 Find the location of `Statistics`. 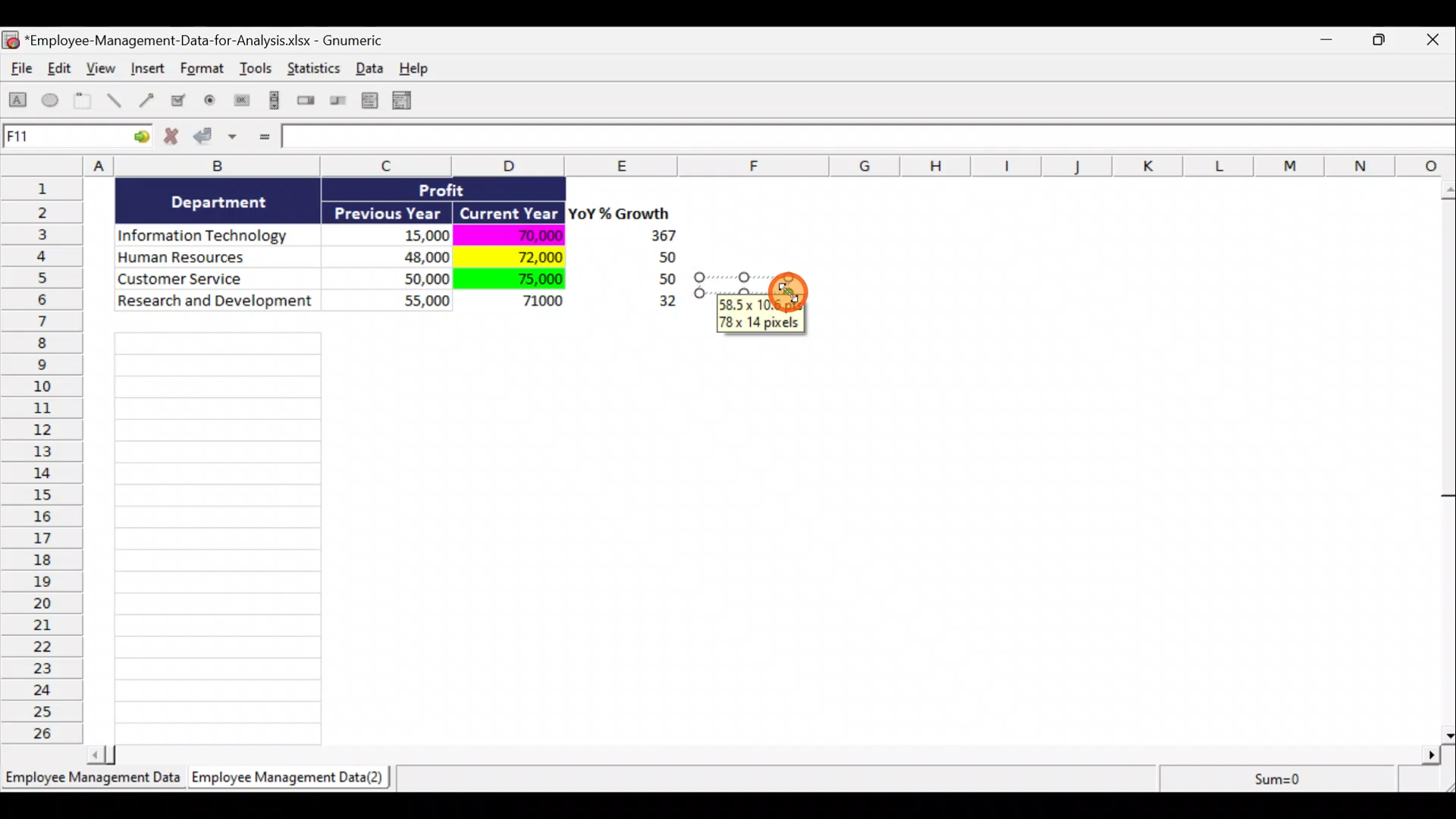

Statistics is located at coordinates (315, 73).